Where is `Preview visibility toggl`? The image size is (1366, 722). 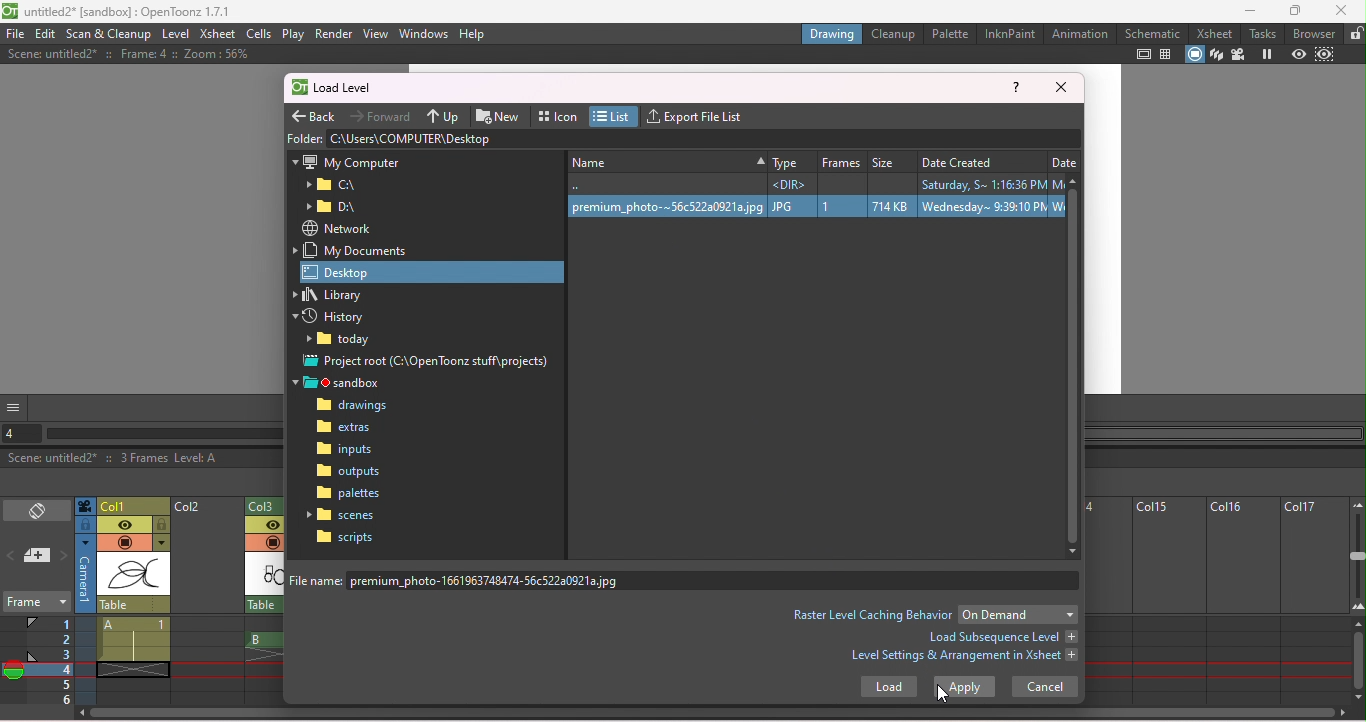 Preview visibility toggl is located at coordinates (263, 526).